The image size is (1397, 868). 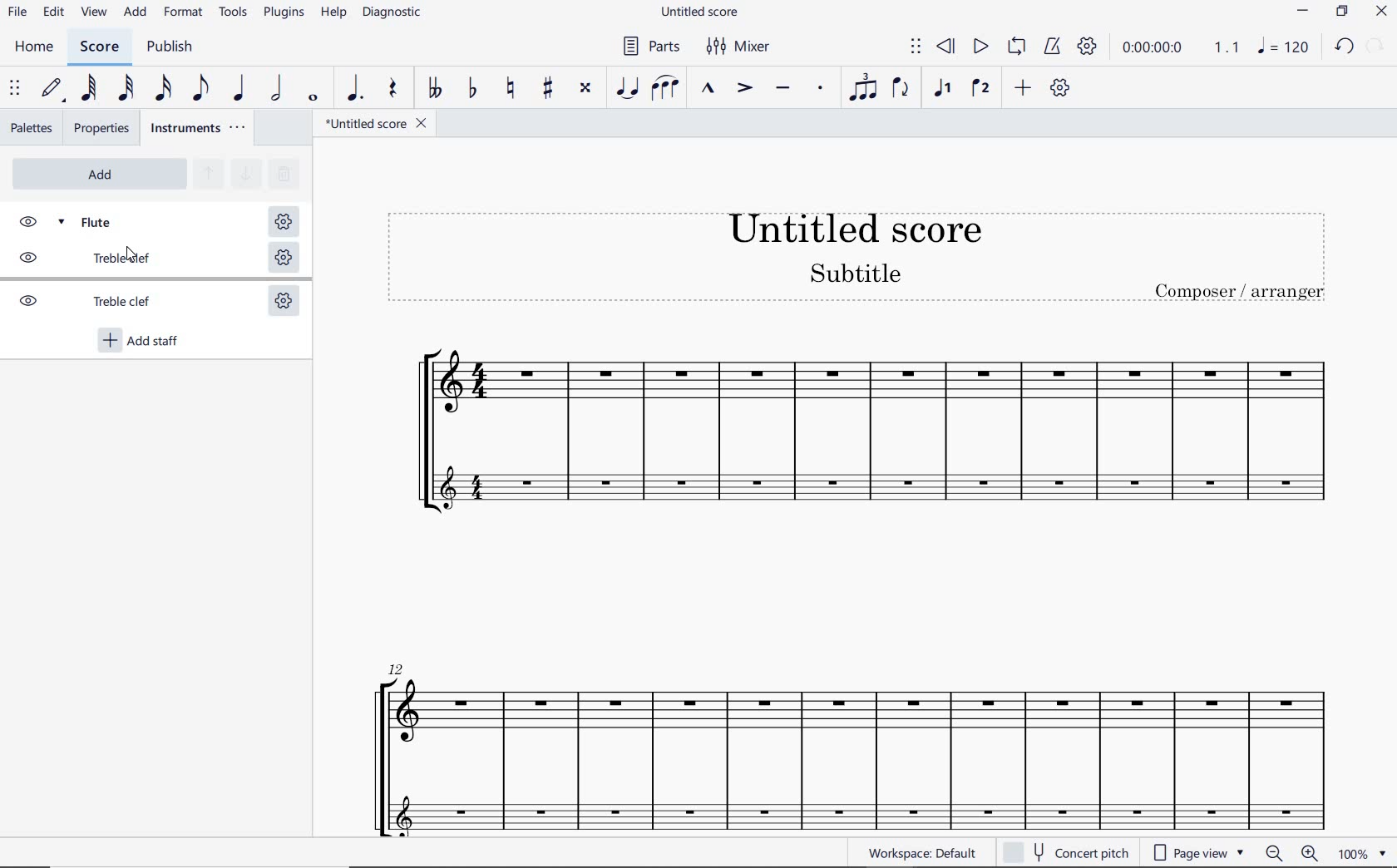 What do you see at coordinates (1015, 50) in the screenshot?
I see `LOOP PLAYBACK` at bounding box center [1015, 50].